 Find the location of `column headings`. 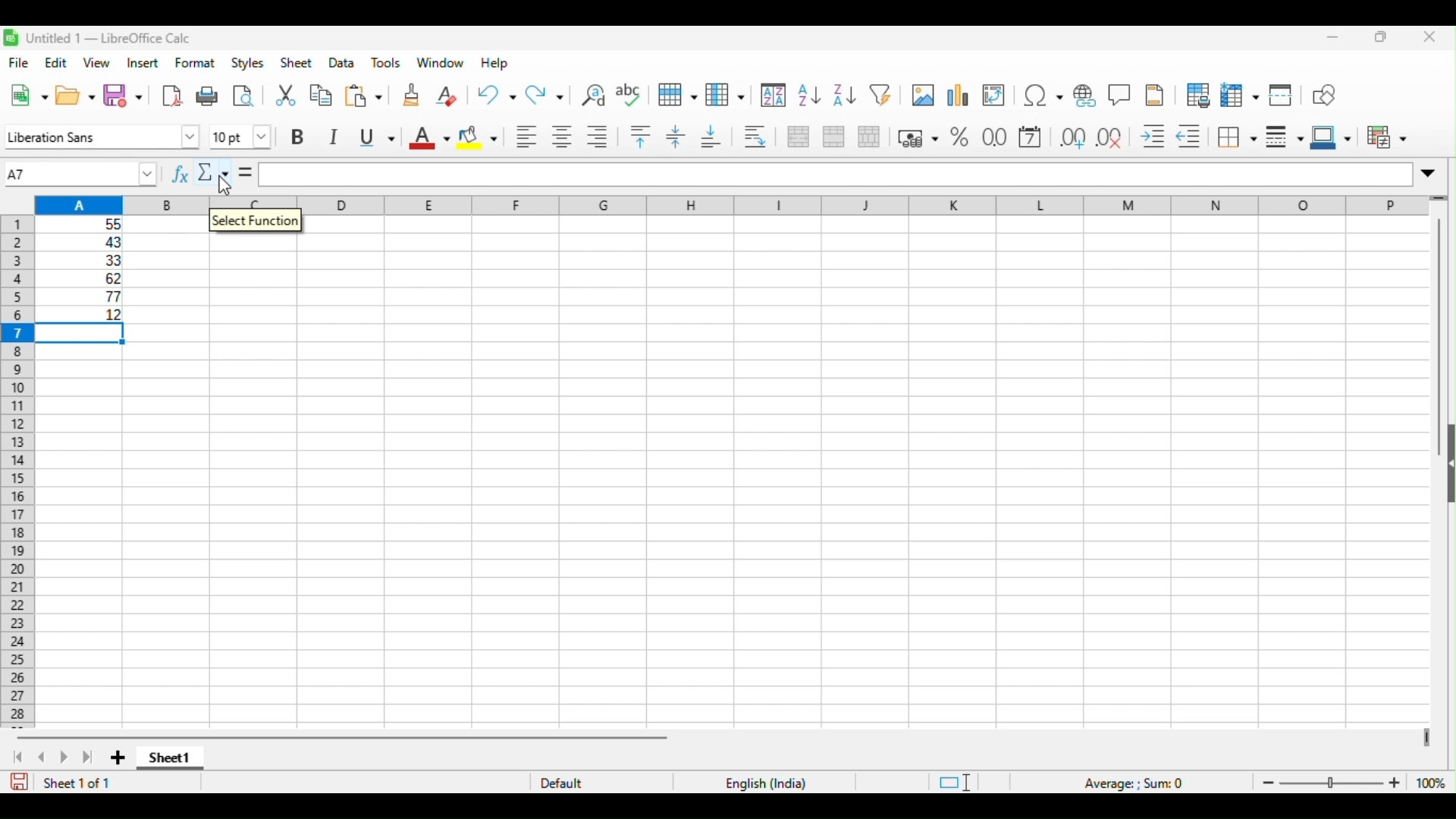

column headings is located at coordinates (731, 205).